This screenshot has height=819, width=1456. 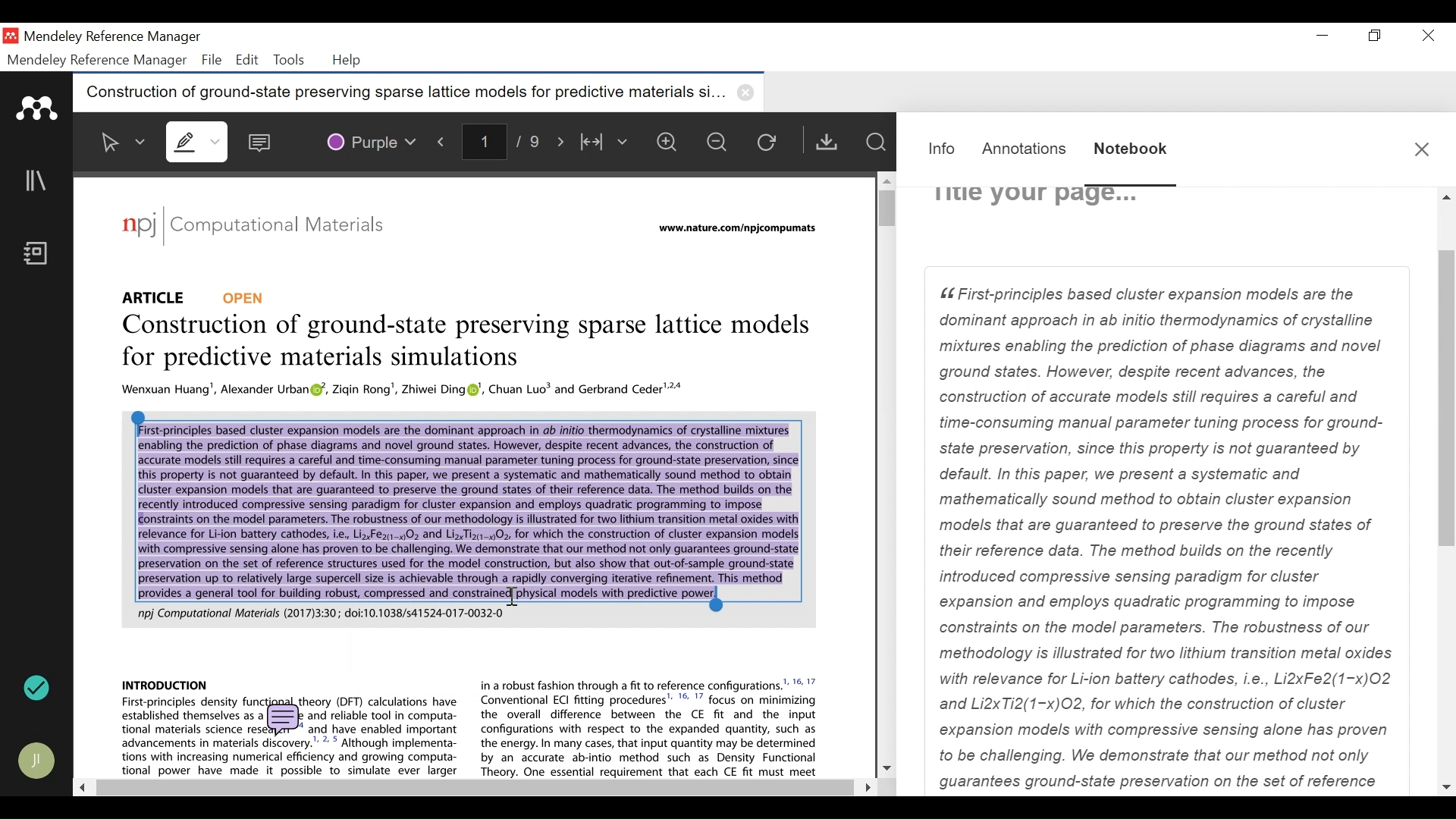 I want to click on Mendeley logo, so click(x=39, y=108).